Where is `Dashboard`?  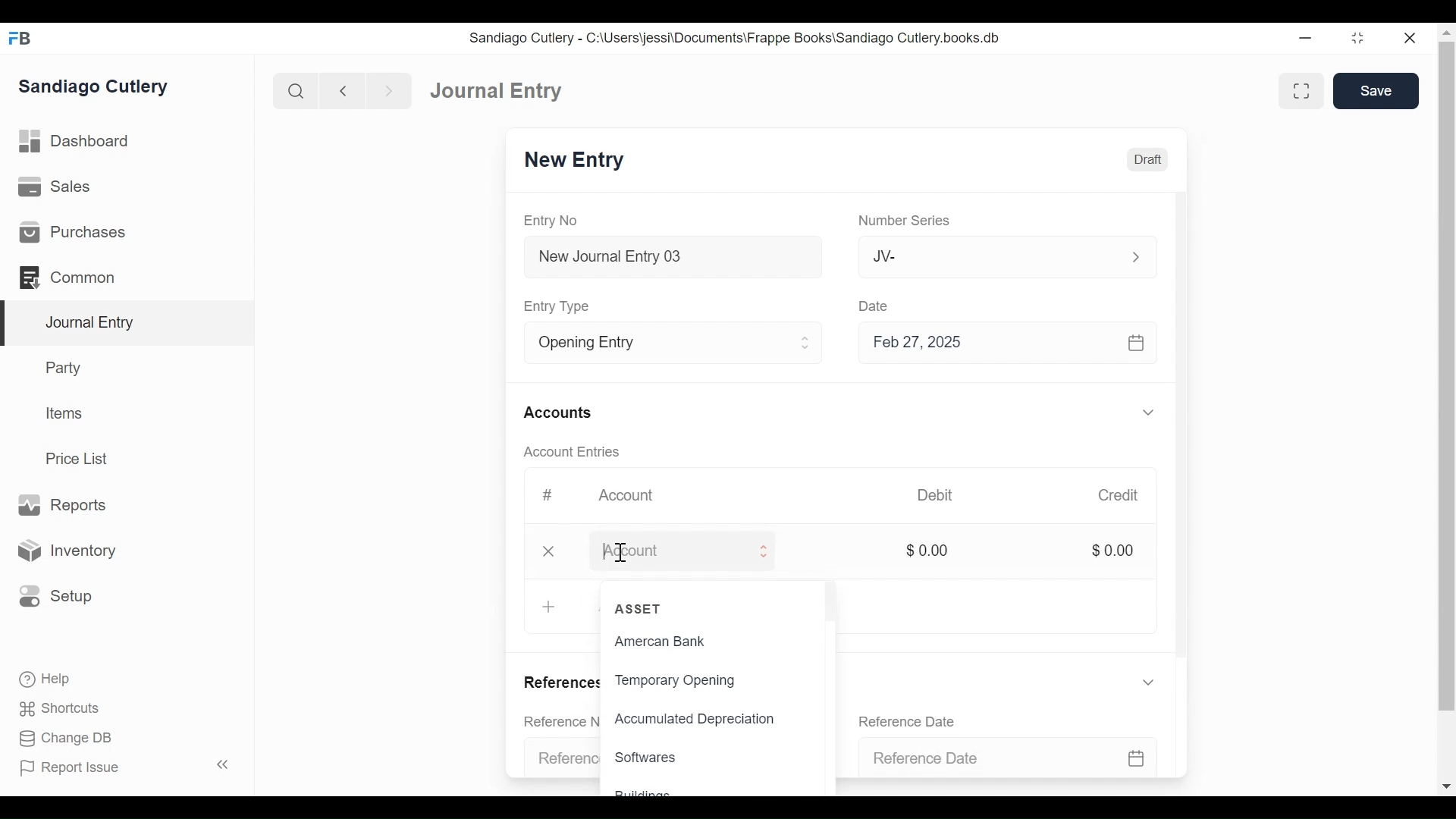 Dashboard is located at coordinates (75, 142).